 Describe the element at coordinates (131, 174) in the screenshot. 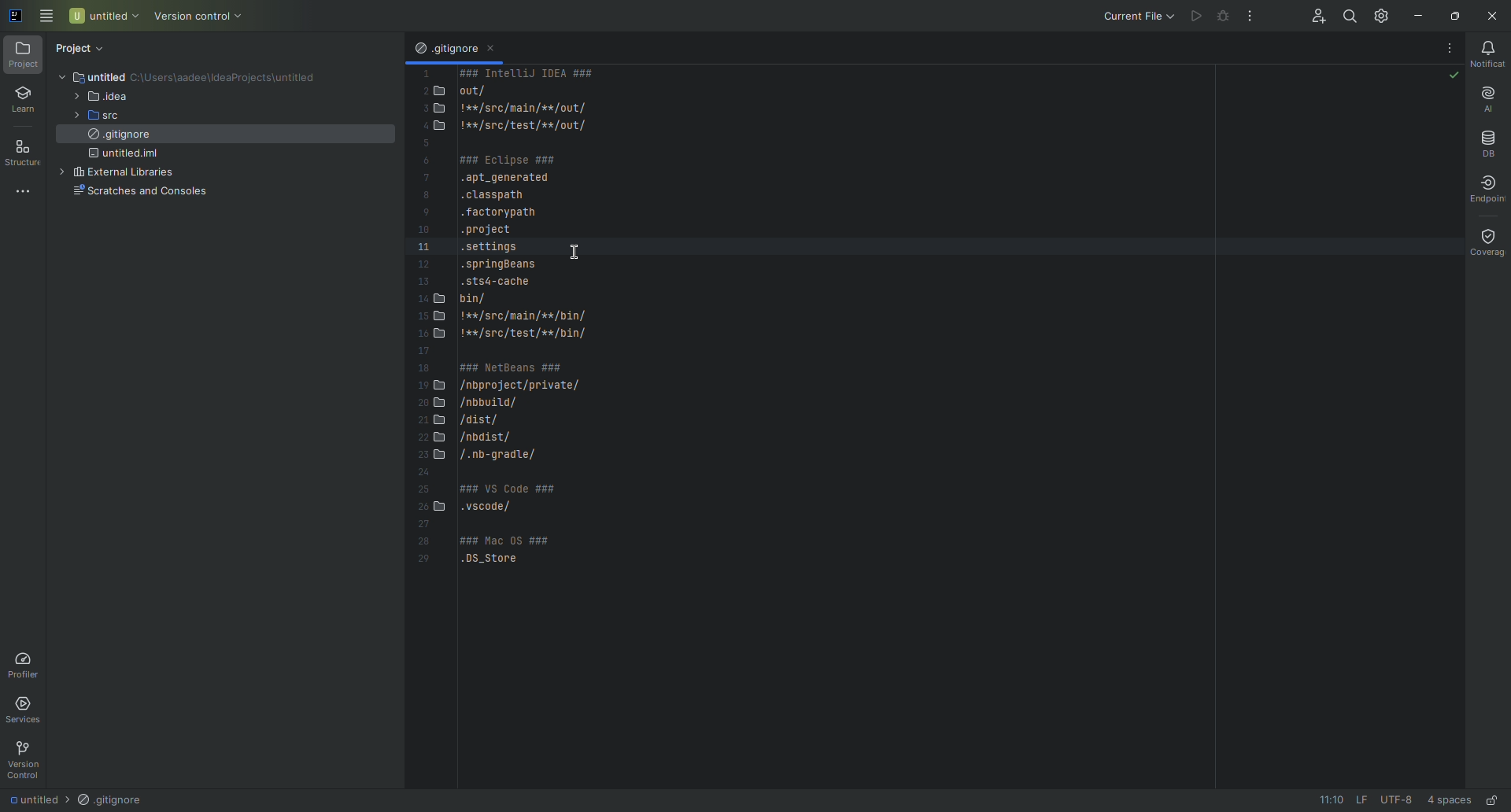

I see `external libraries` at that location.